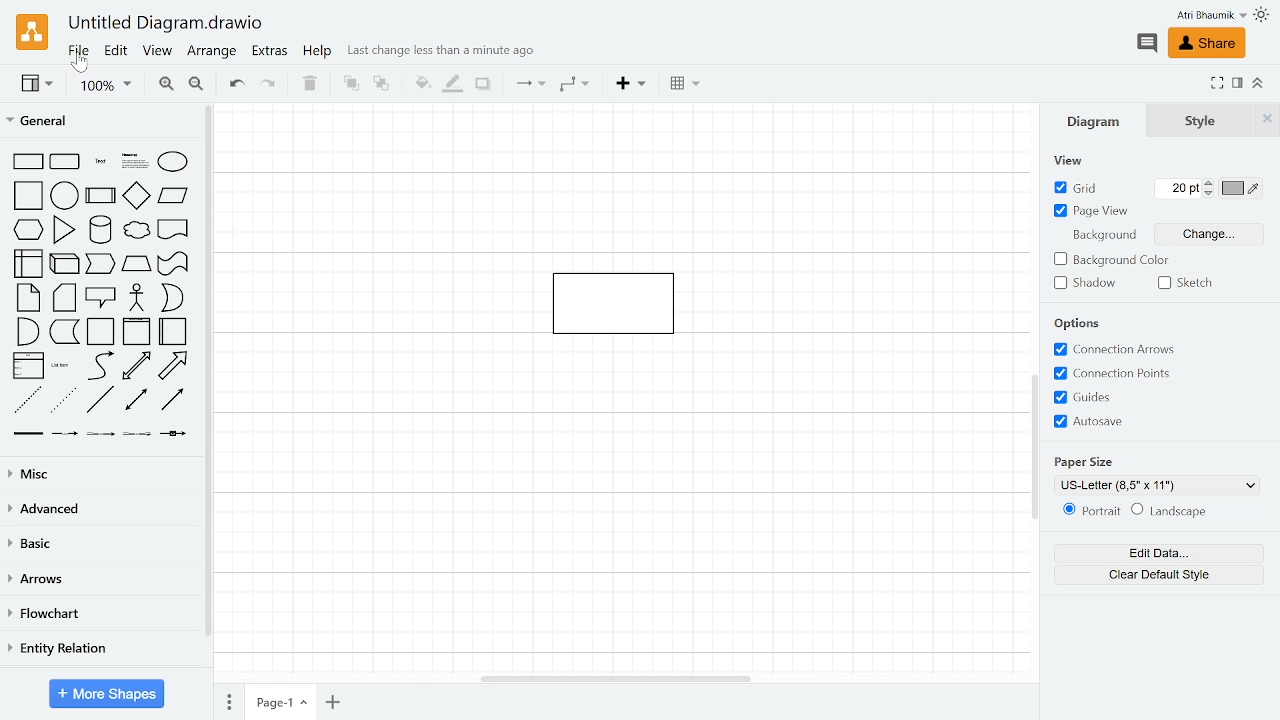  I want to click on Zoom in, so click(169, 85).